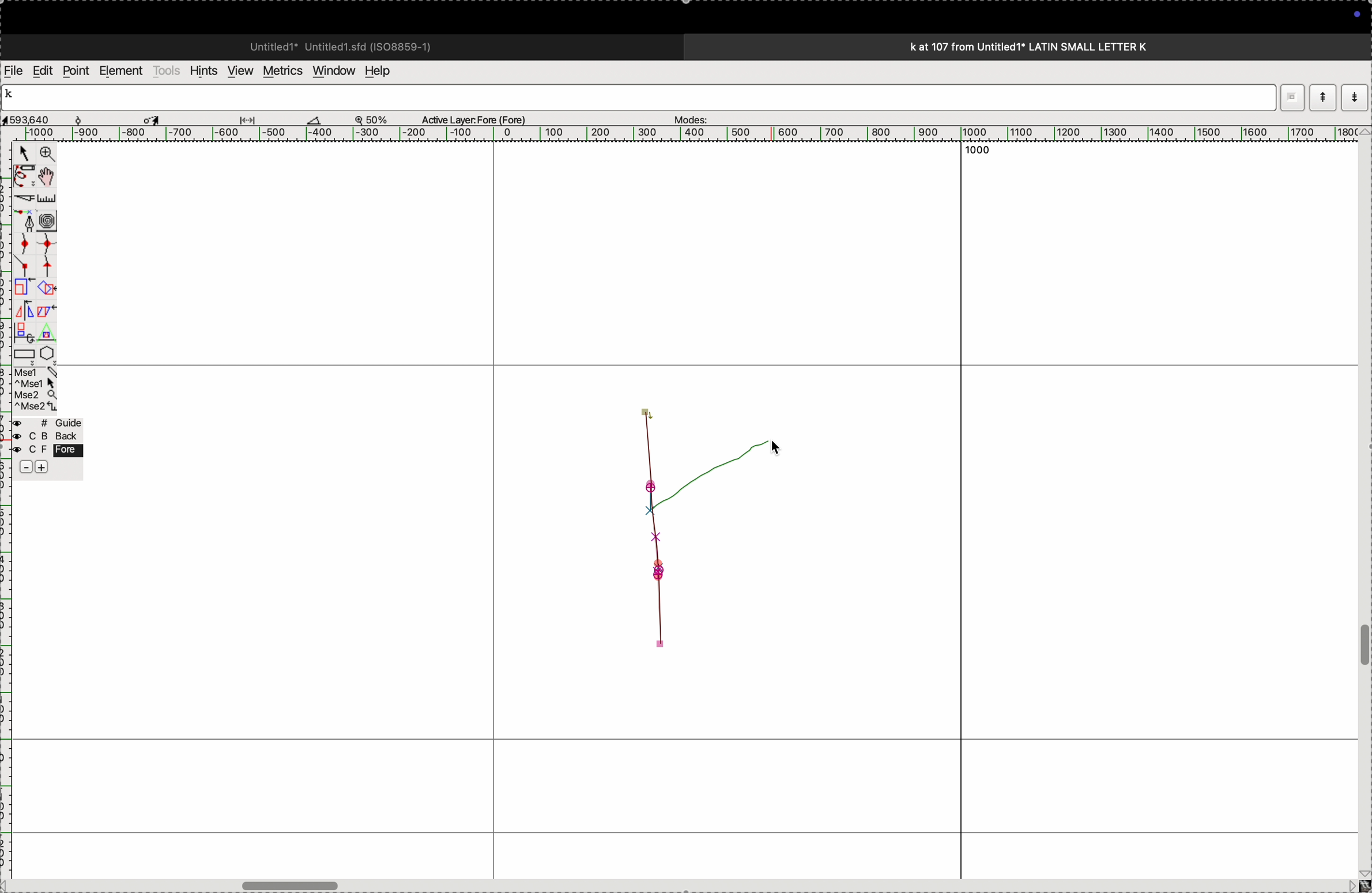 The height and width of the screenshot is (893, 1372). Describe the element at coordinates (122, 71) in the screenshot. I see `element` at that location.